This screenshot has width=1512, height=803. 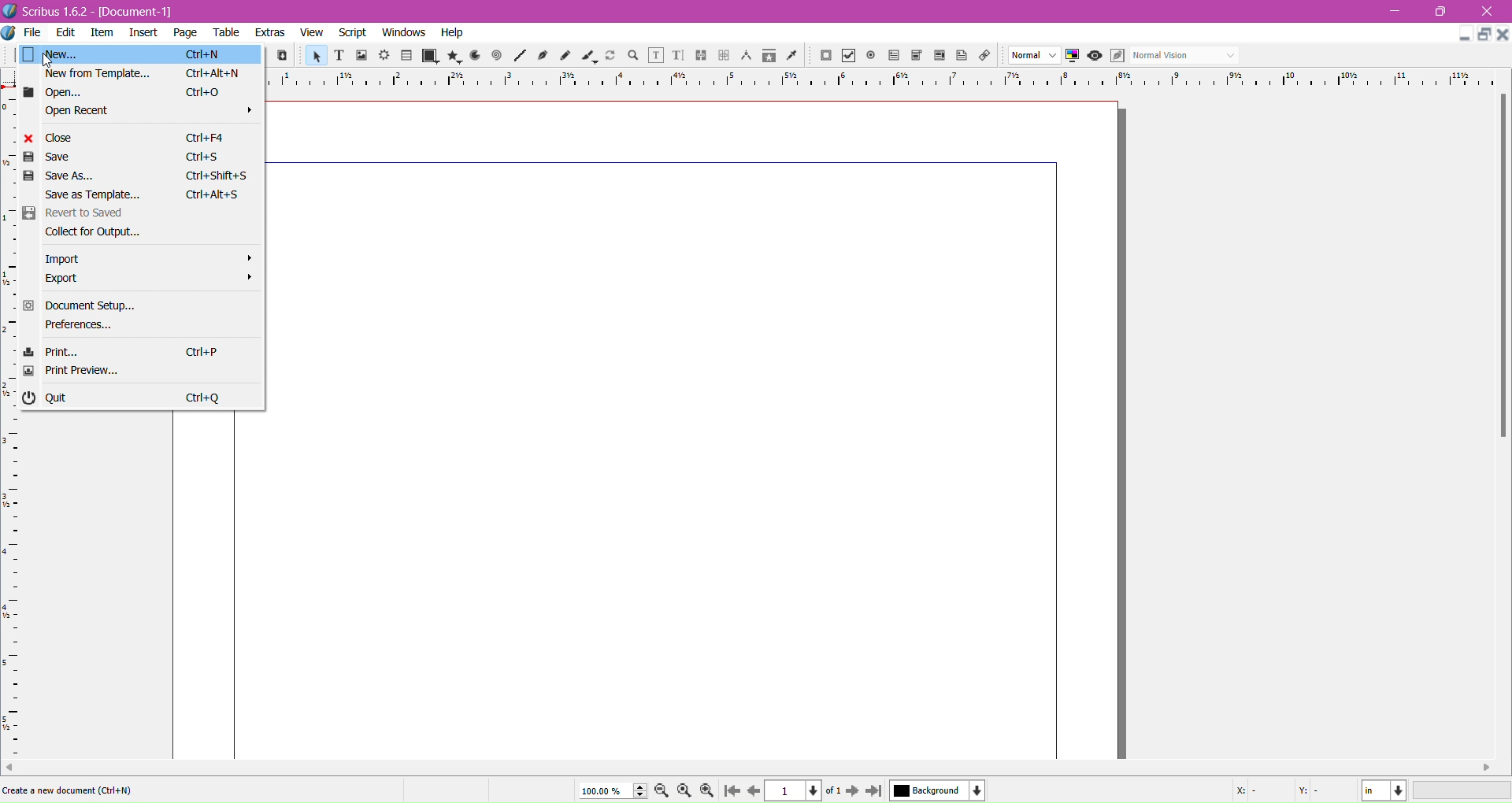 I want to click on New from Template, so click(x=142, y=73).